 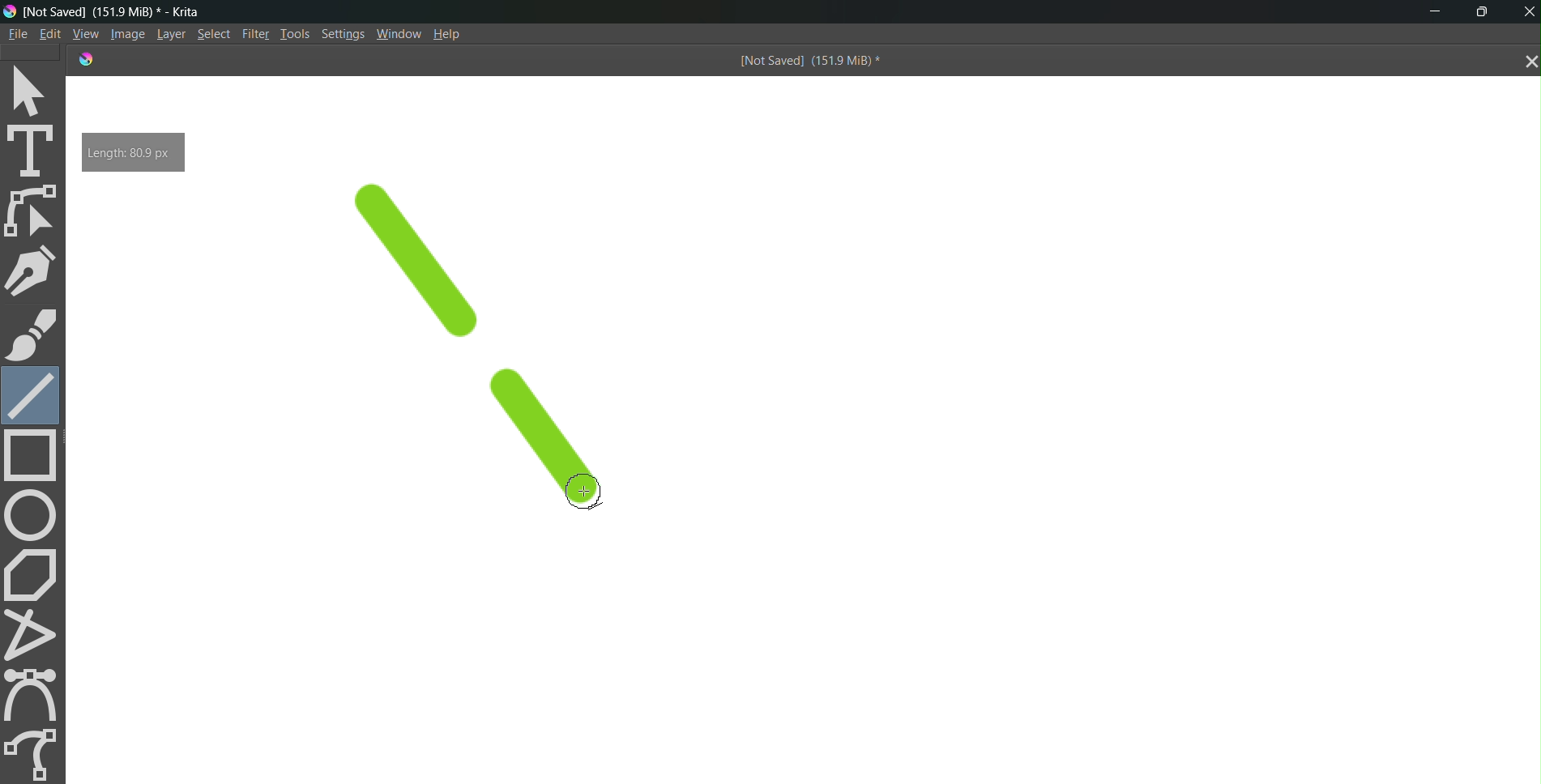 What do you see at coordinates (10, 11) in the screenshot?
I see `logo` at bounding box center [10, 11].